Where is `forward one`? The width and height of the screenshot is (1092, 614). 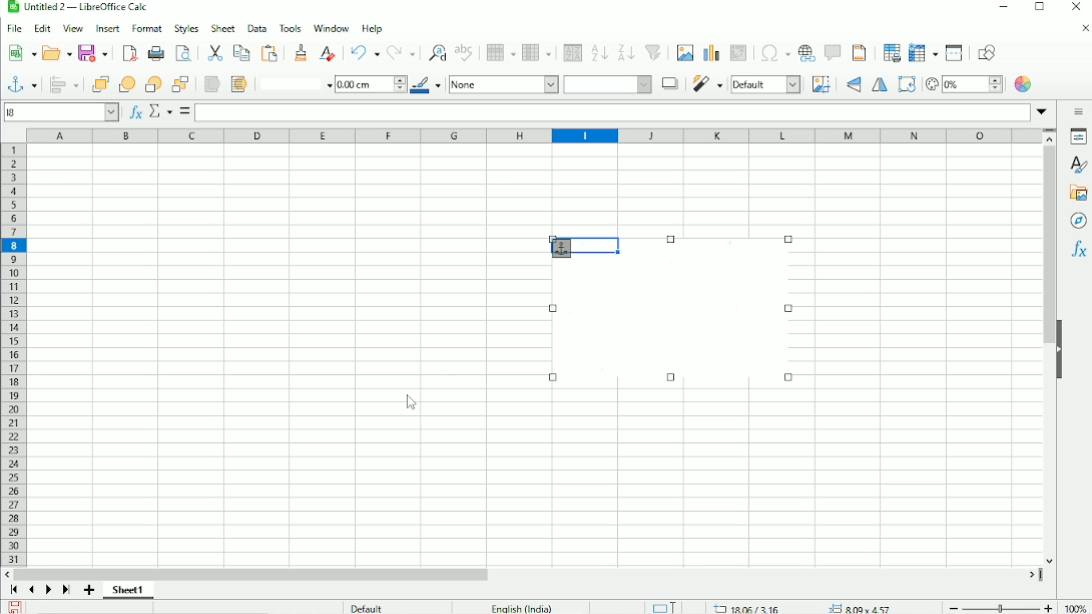 forward one is located at coordinates (126, 84).